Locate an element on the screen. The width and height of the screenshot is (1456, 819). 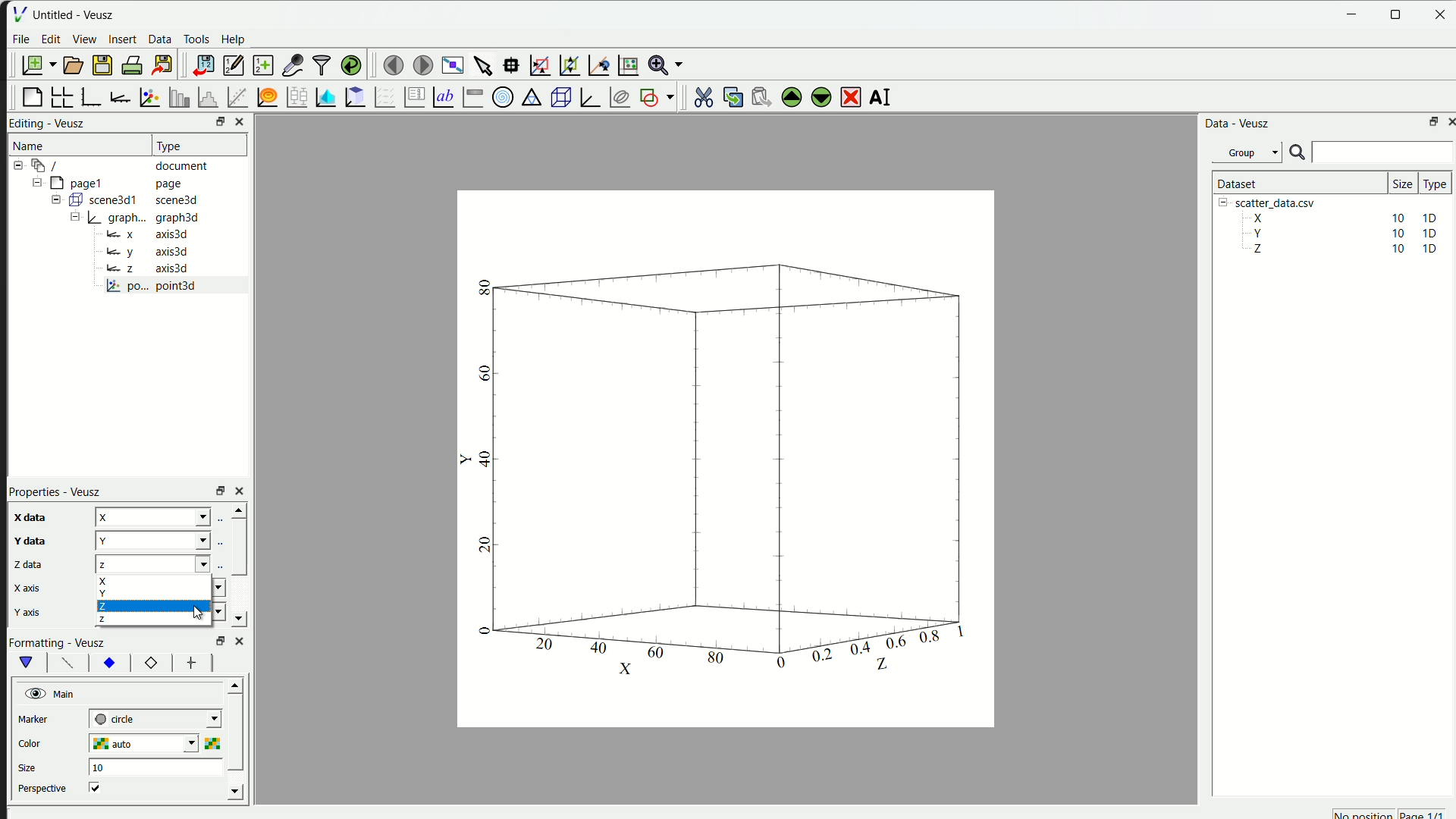
search icon is located at coordinates (1298, 152).